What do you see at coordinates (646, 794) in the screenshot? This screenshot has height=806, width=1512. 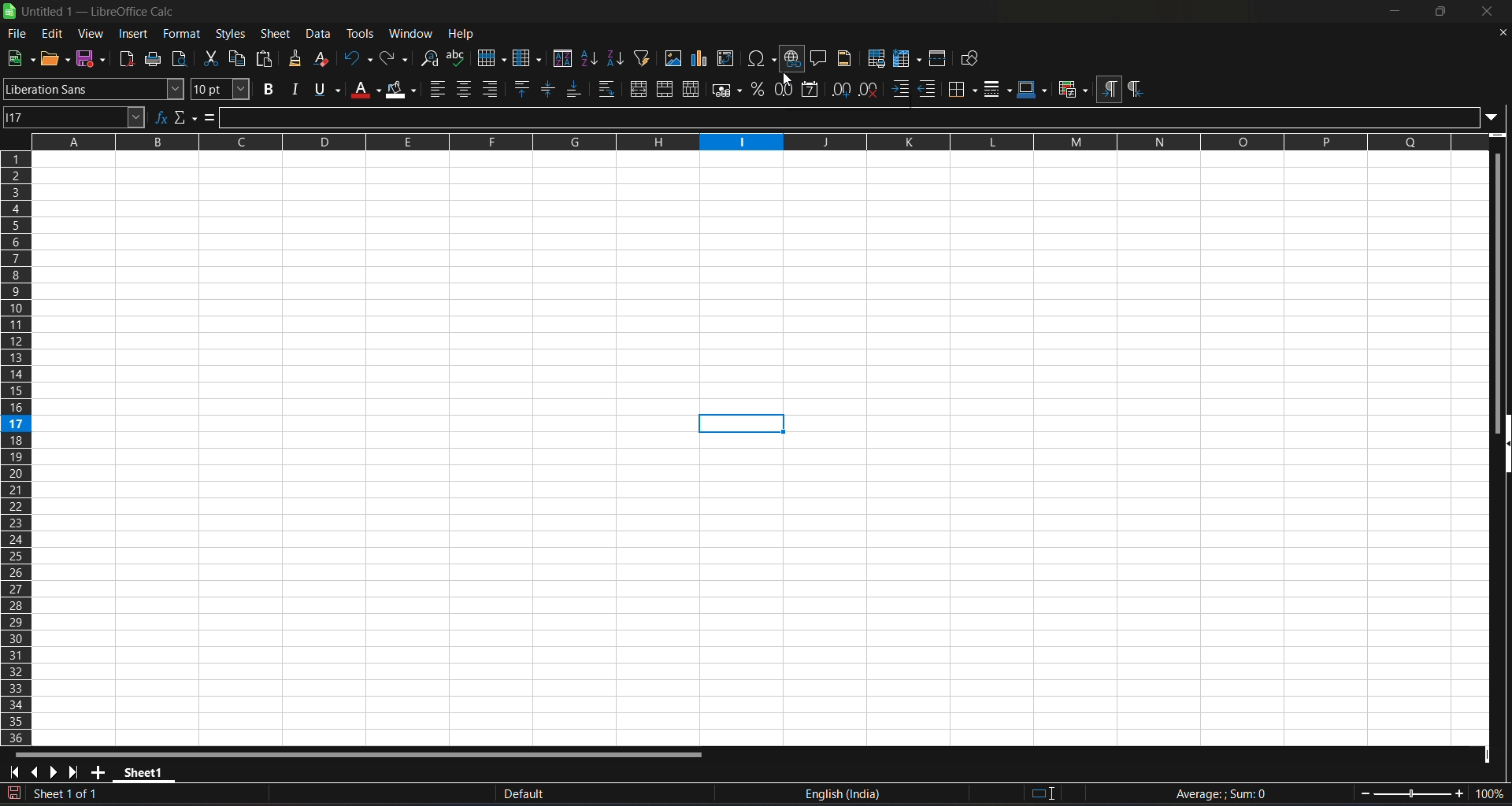 I see `default` at bounding box center [646, 794].